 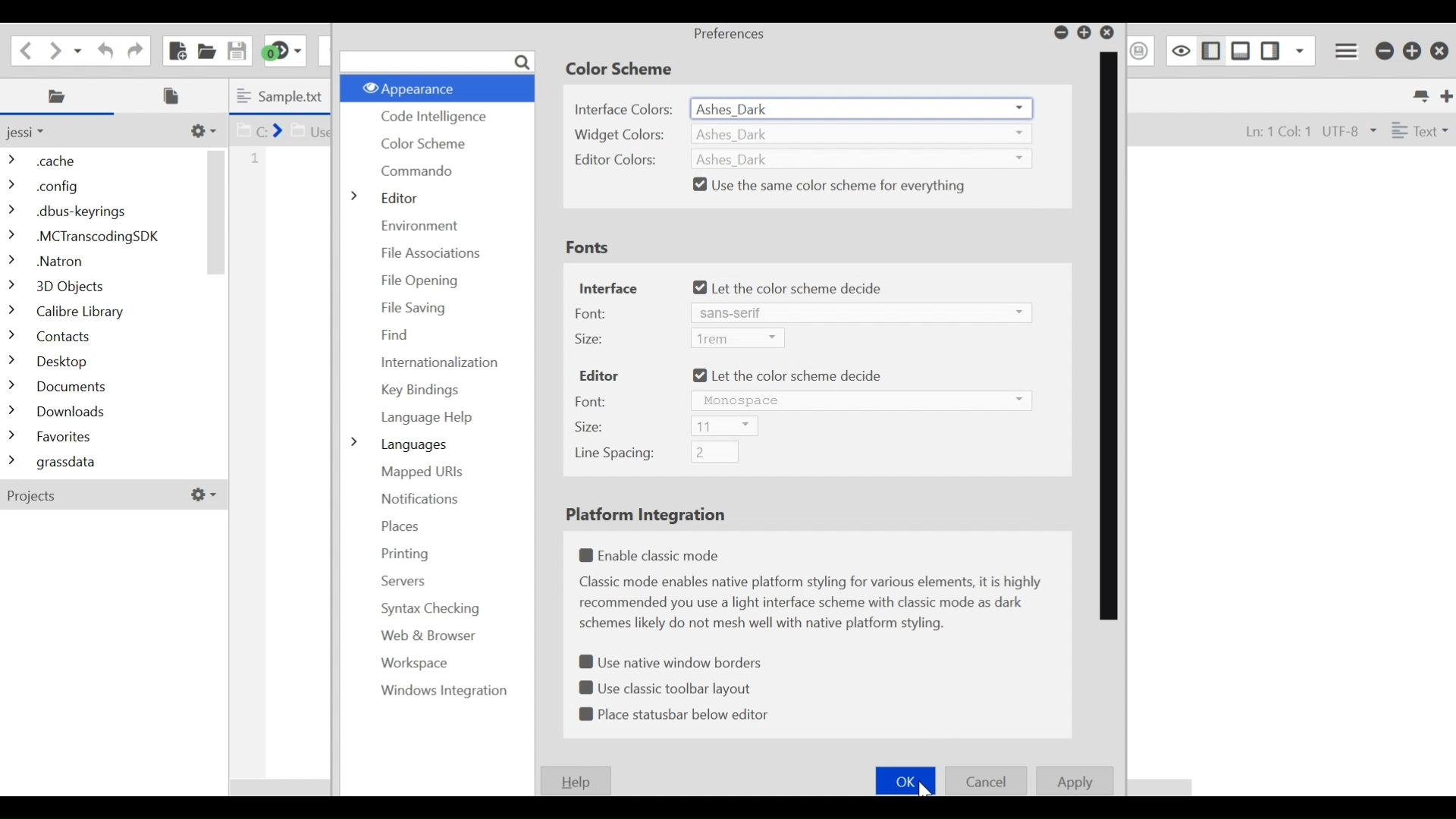 What do you see at coordinates (425, 143) in the screenshot?
I see `Color Scheme` at bounding box center [425, 143].